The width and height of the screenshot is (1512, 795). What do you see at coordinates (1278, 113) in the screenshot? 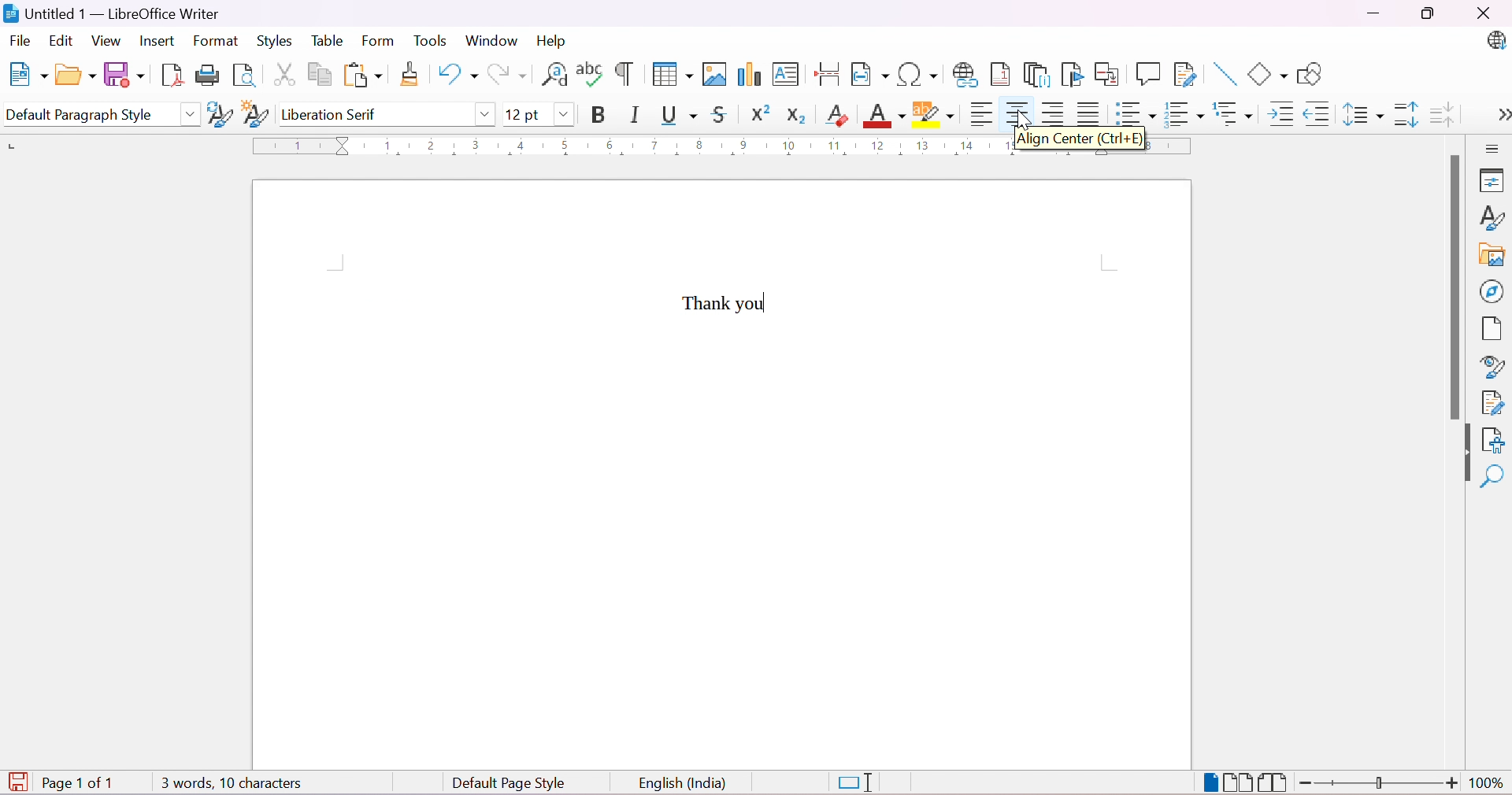
I see `Increase Indent` at bounding box center [1278, 113].